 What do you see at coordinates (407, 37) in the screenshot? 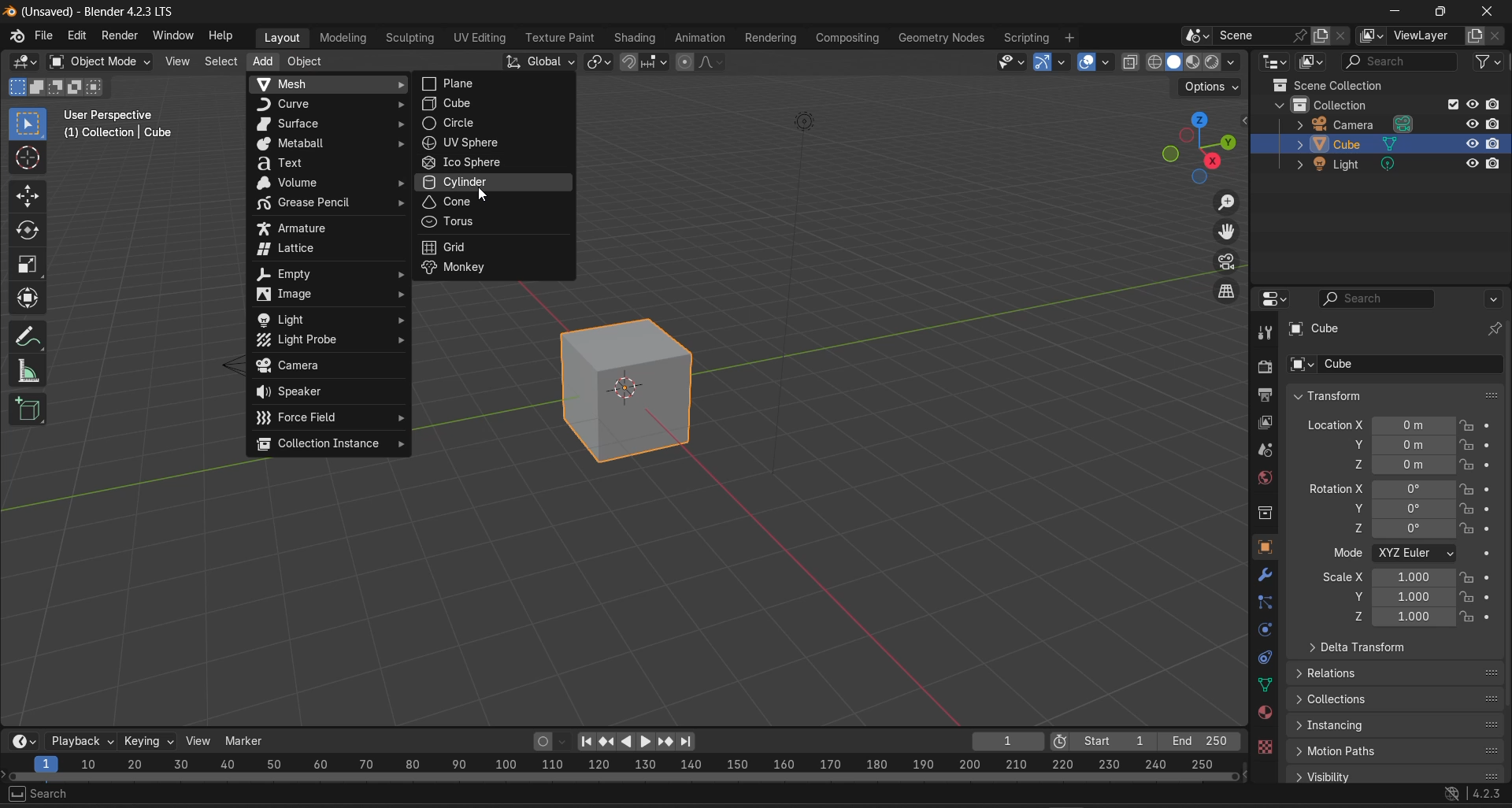
I see `sculpting` at bounding box center [407, 37].